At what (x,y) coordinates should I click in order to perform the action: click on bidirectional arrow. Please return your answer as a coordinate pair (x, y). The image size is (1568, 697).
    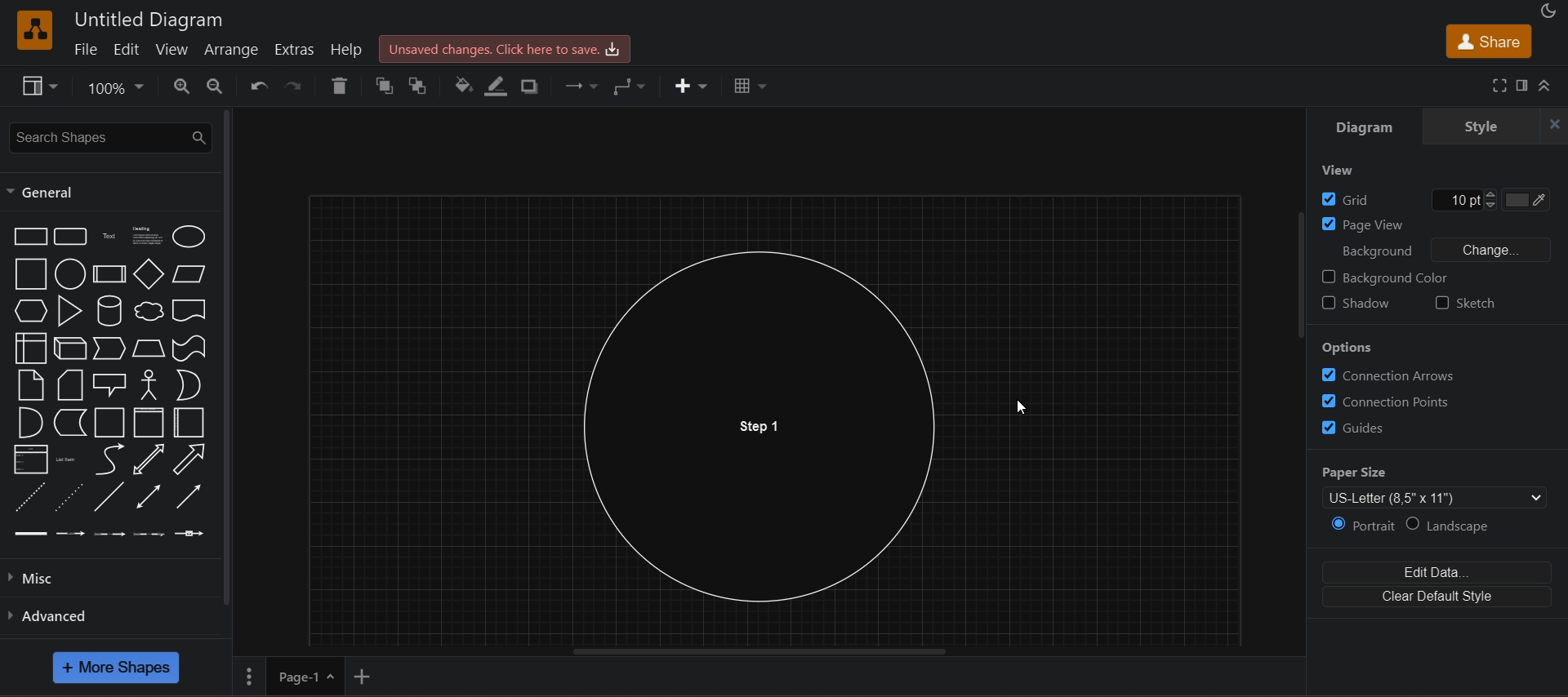
    Looking at the image, I should click on (148, 459).